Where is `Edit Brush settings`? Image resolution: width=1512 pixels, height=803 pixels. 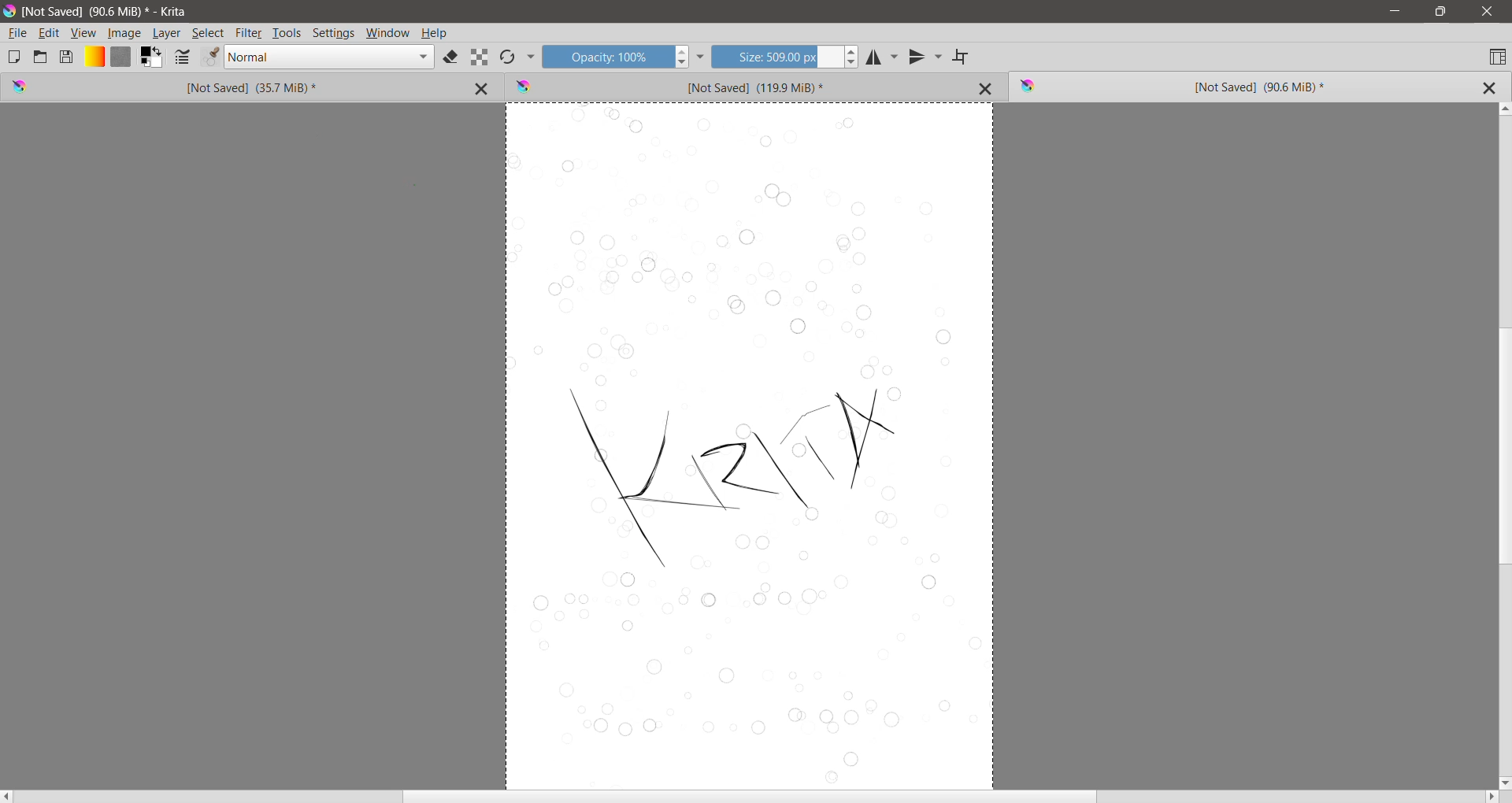
Edit Brush settings is located at coordinates (182, 58).